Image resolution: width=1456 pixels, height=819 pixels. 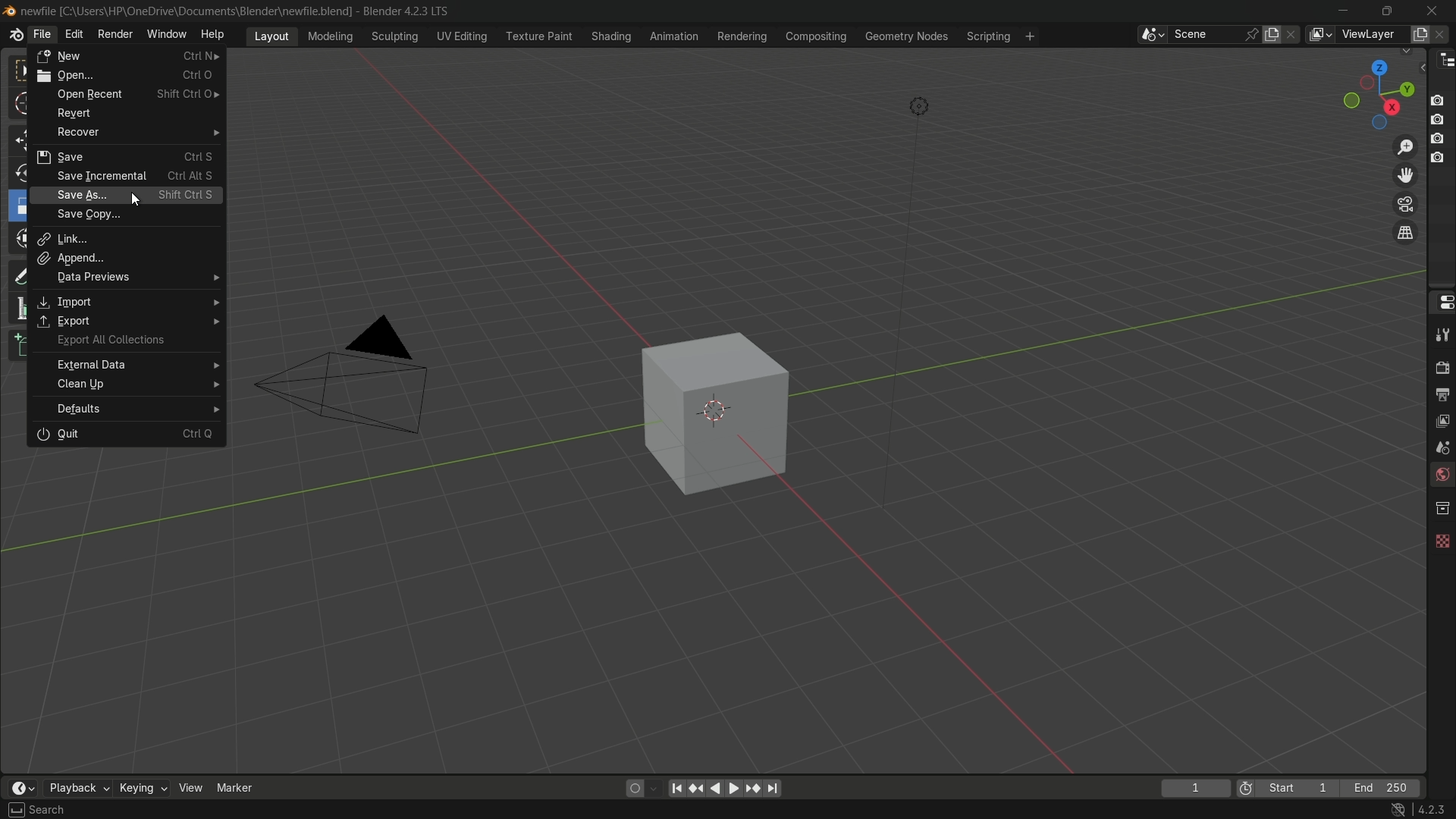 I want to click on annotate, so click(x=16, y=274).